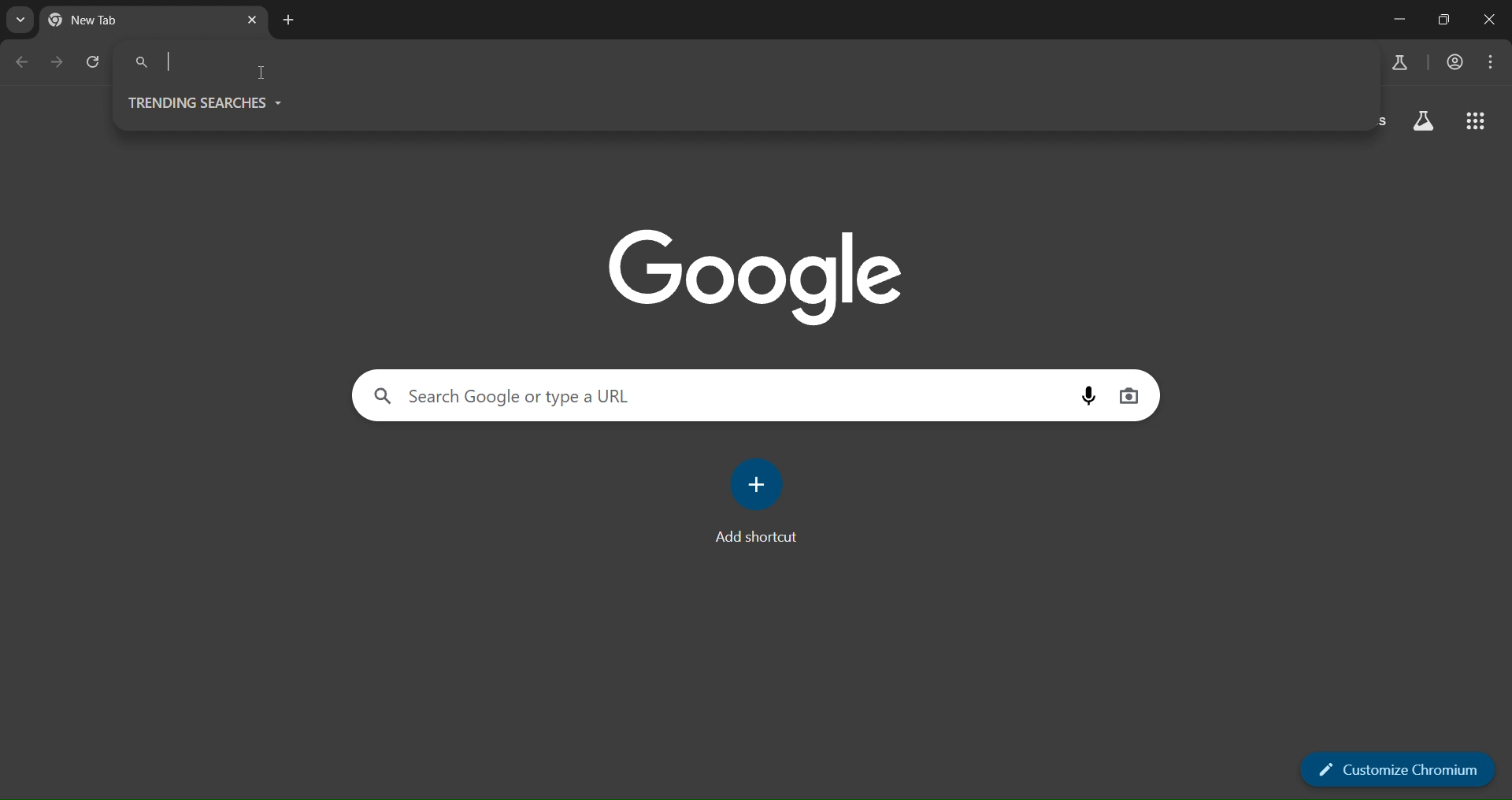 The height and width of the screenshot is (800, 1512). What do you see at coordinates (1129, 398) in the screenshot?
I see `image search` at bounding box center [1129, 398].